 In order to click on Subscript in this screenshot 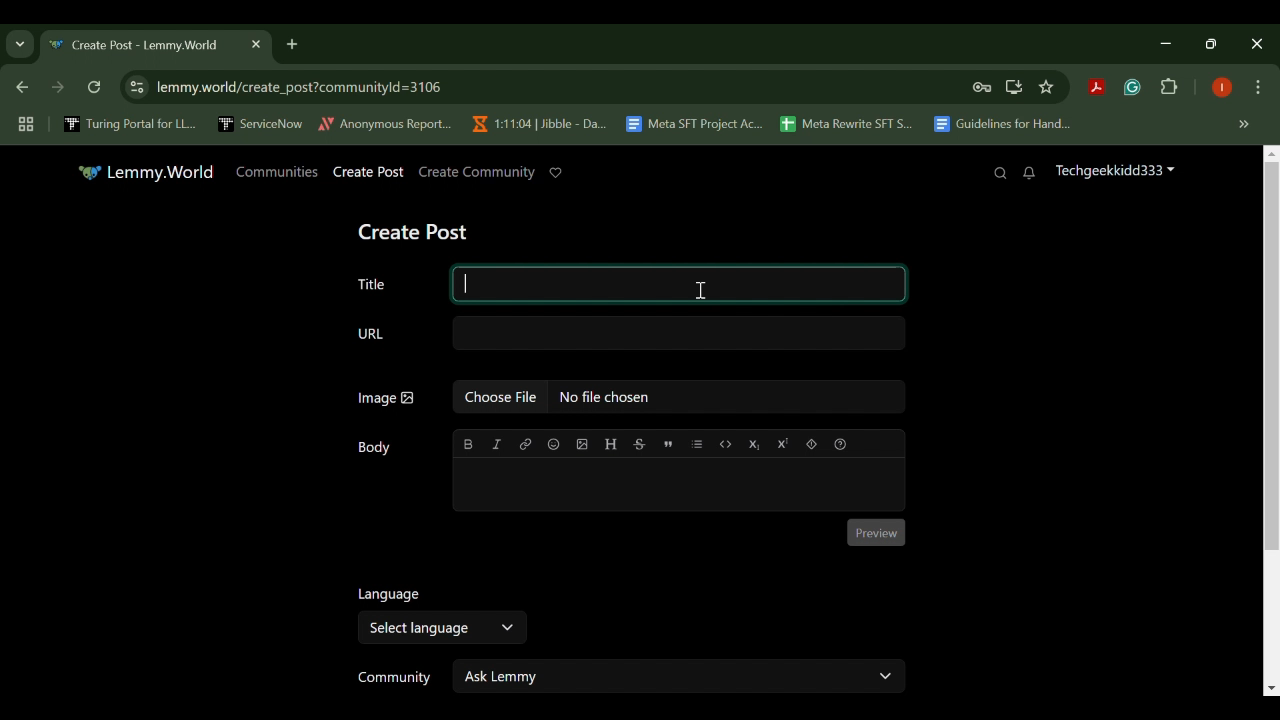, I will do `click(755, 443)`.